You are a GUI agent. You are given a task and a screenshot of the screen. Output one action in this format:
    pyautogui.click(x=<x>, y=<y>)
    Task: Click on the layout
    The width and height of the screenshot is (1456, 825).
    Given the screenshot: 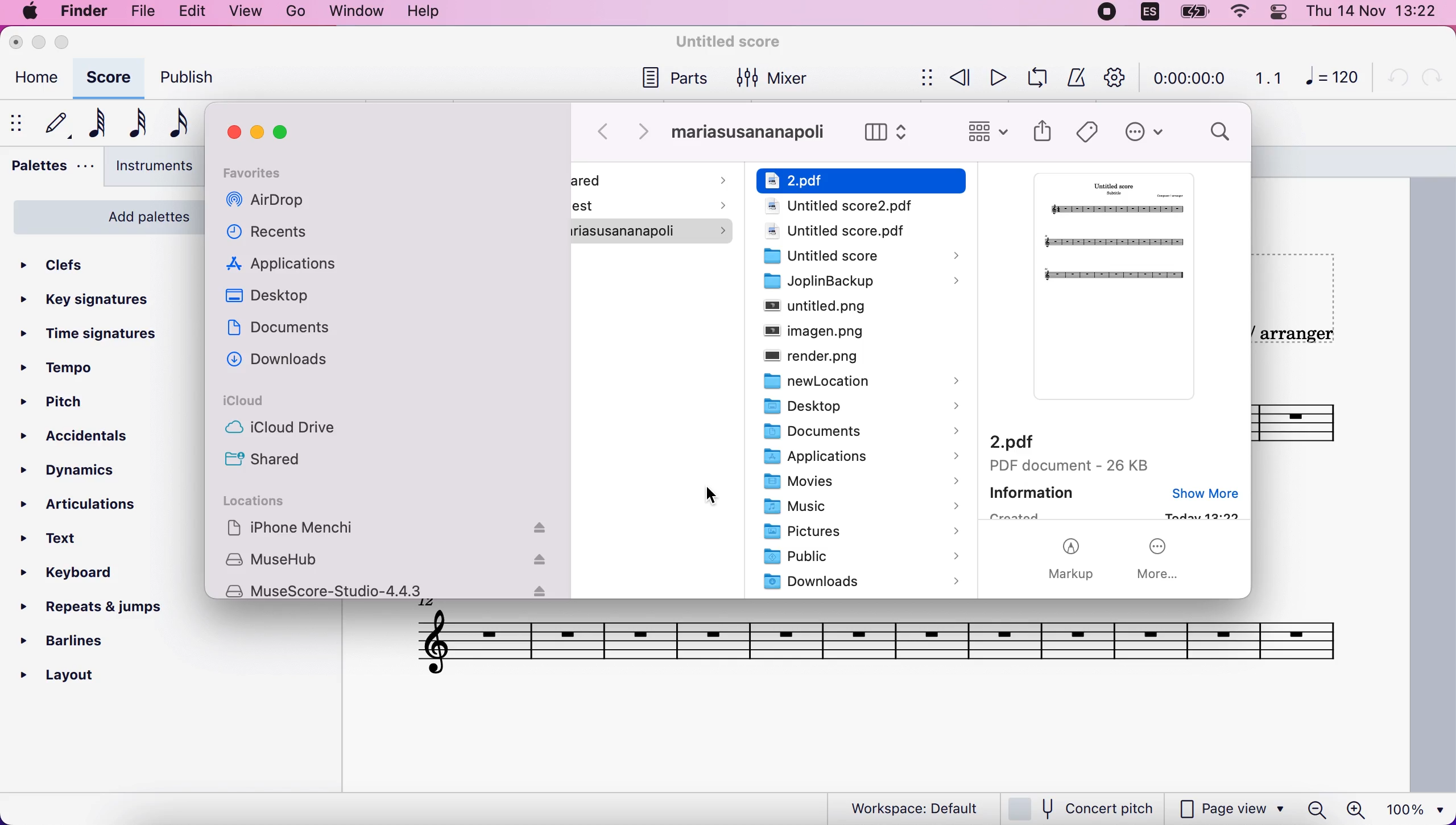 What is the action you would take?
    pyautogui.click(x=78, y=676)
    